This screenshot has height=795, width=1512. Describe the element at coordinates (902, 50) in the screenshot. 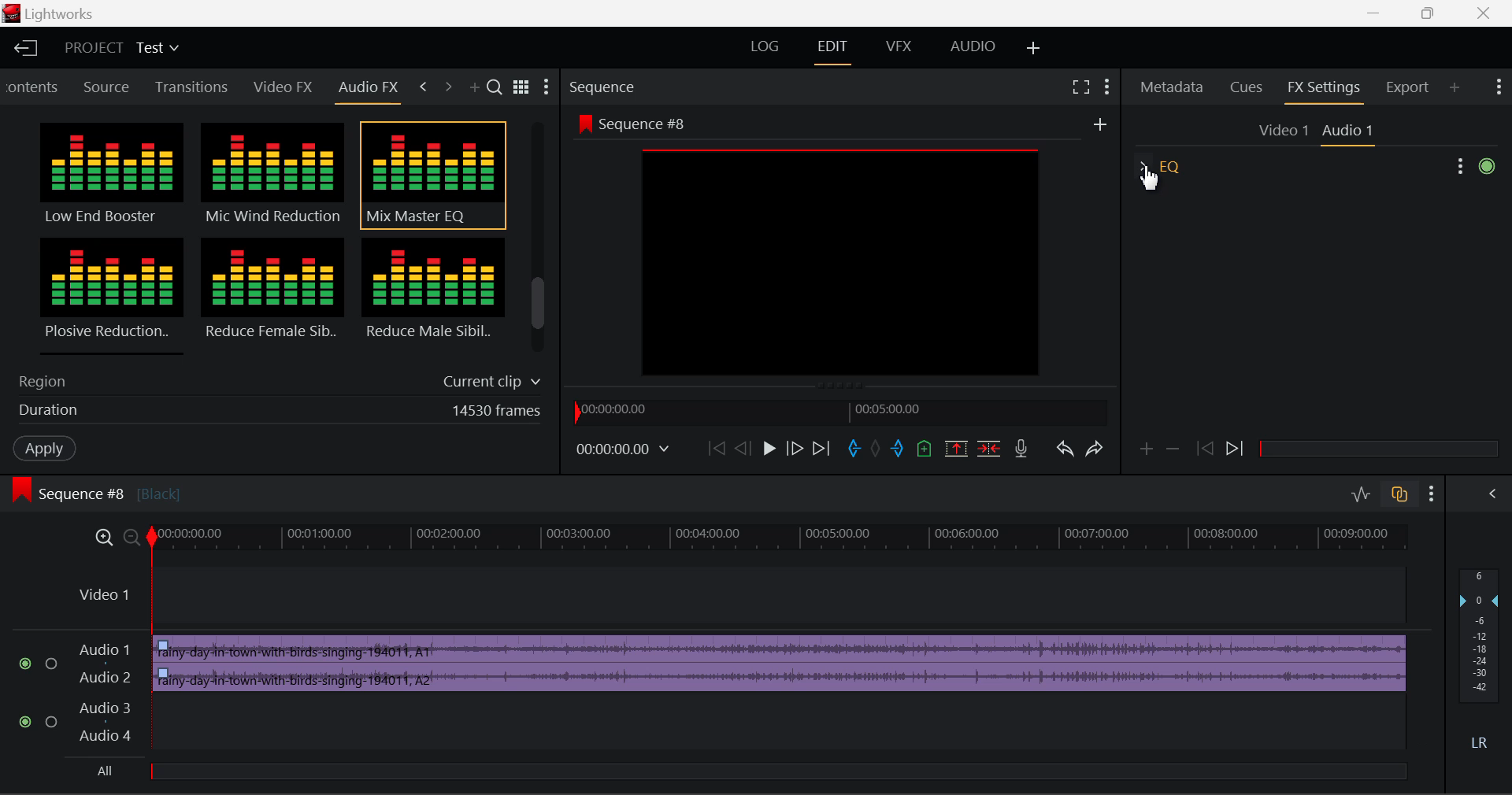

I see `VFX Layout` at that location.